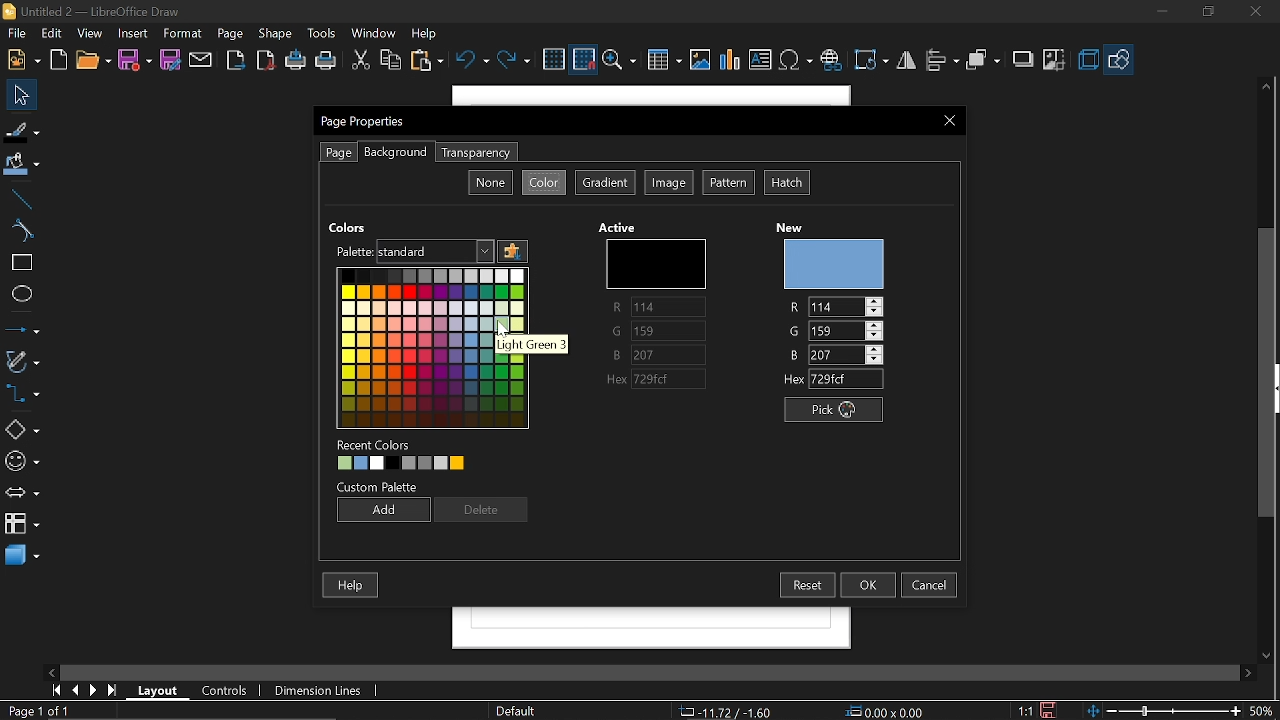 The height and width of the screenshot is (720, 1280). I want to click on Custom Palette, so click(380, 487).